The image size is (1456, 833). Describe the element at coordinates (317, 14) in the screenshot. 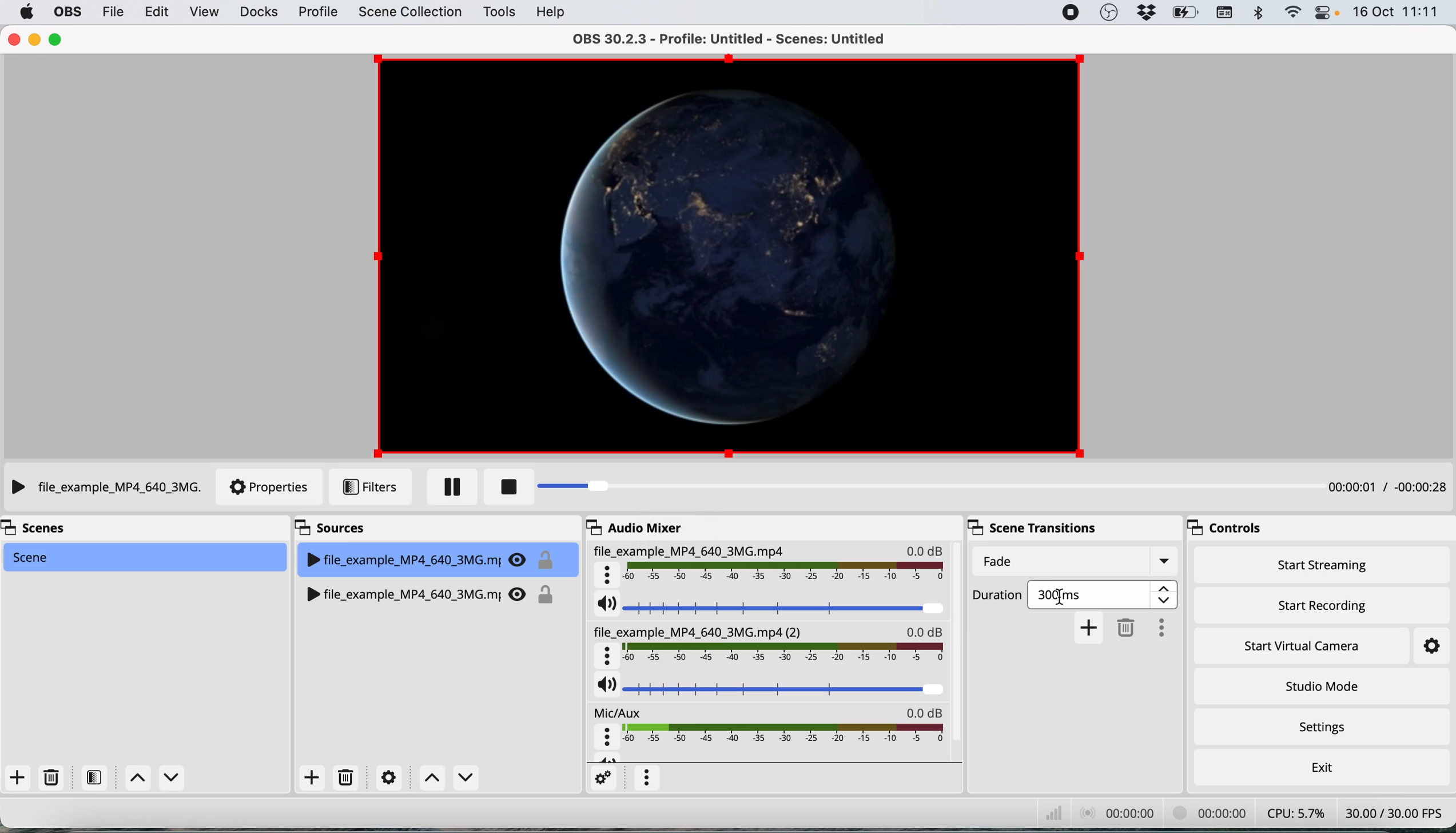

I see `profile` at that location.